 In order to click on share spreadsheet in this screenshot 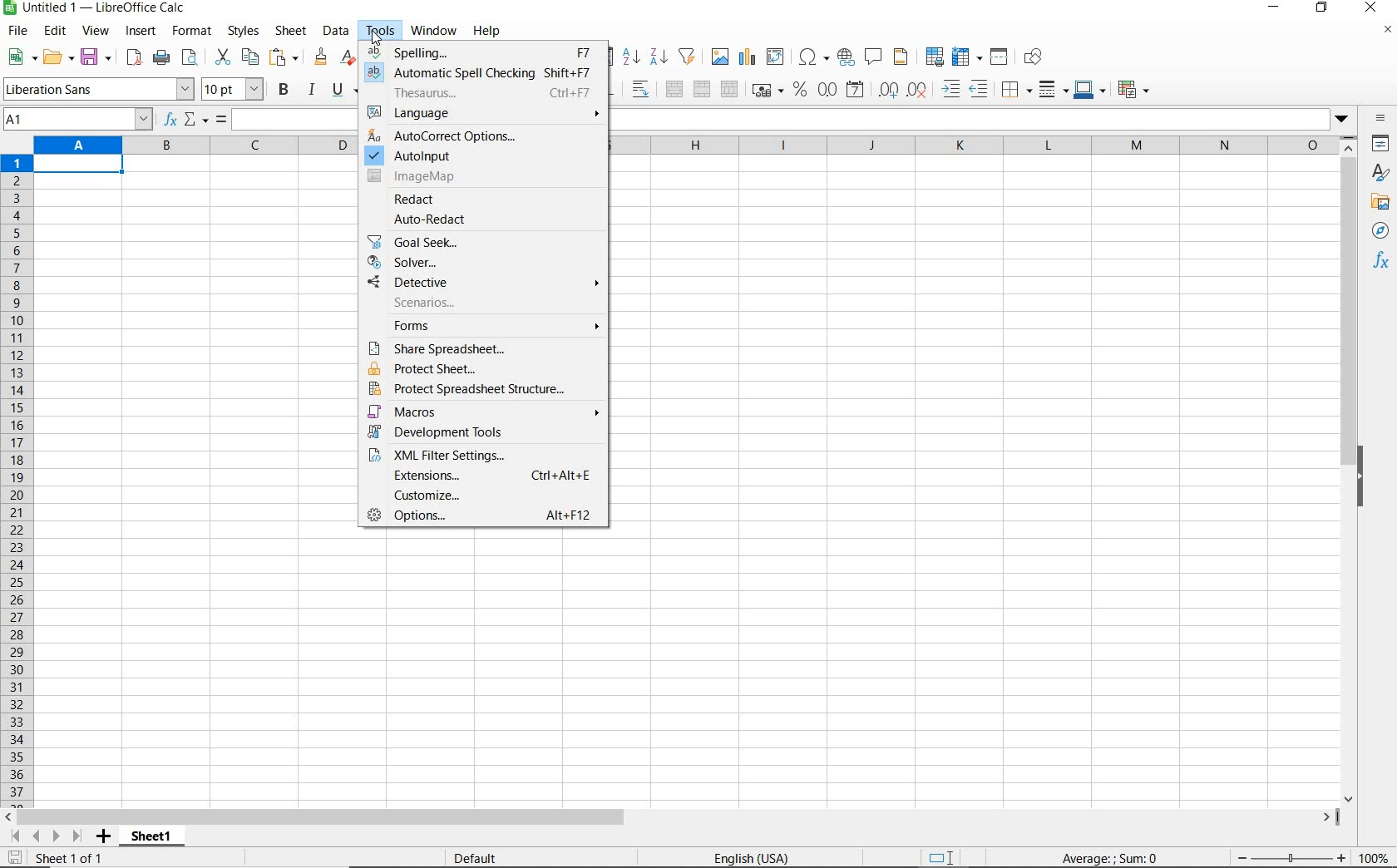, I will do `click(486, 348)`.